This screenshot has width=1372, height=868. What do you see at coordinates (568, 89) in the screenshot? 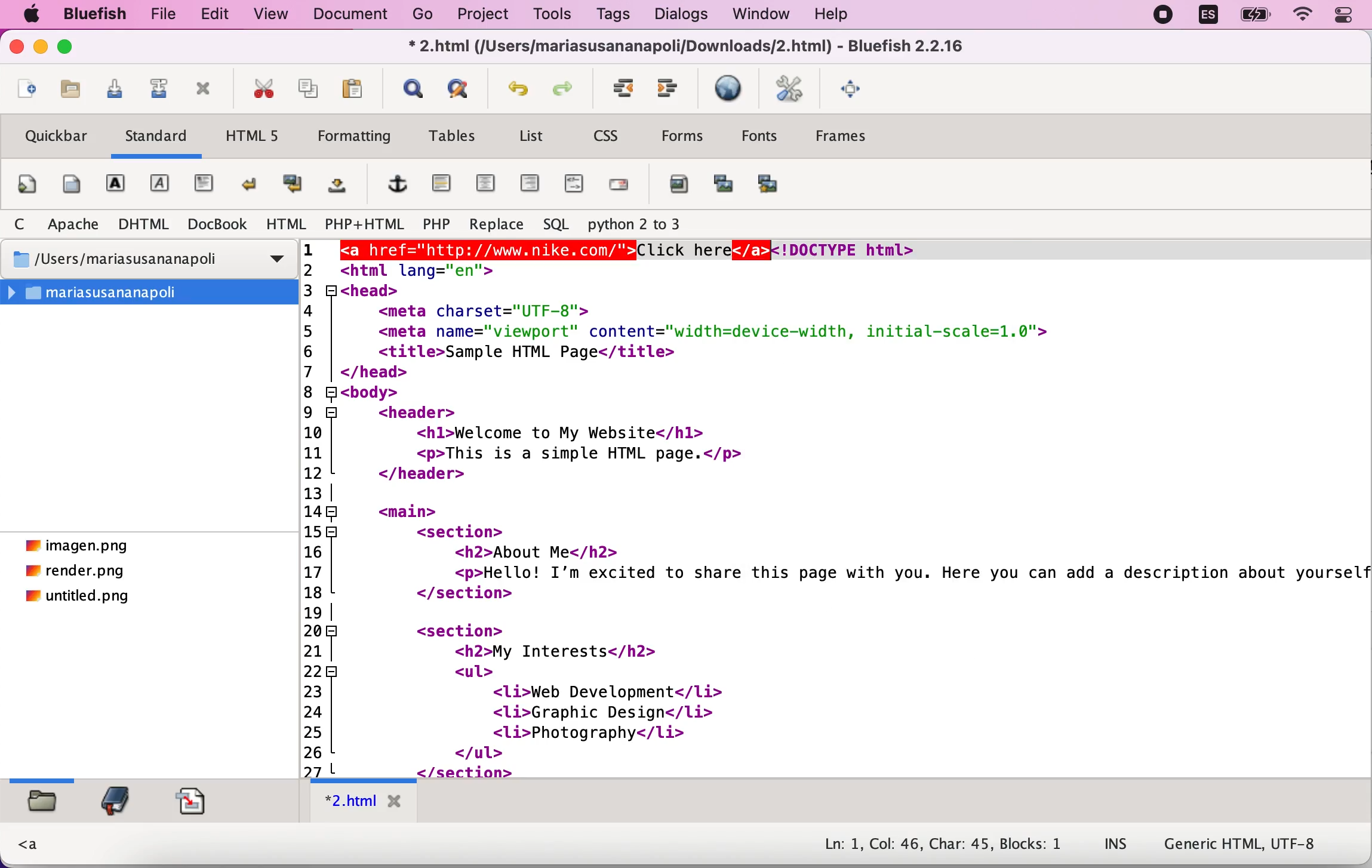
I see `redo` at bounding box center [568, 89].